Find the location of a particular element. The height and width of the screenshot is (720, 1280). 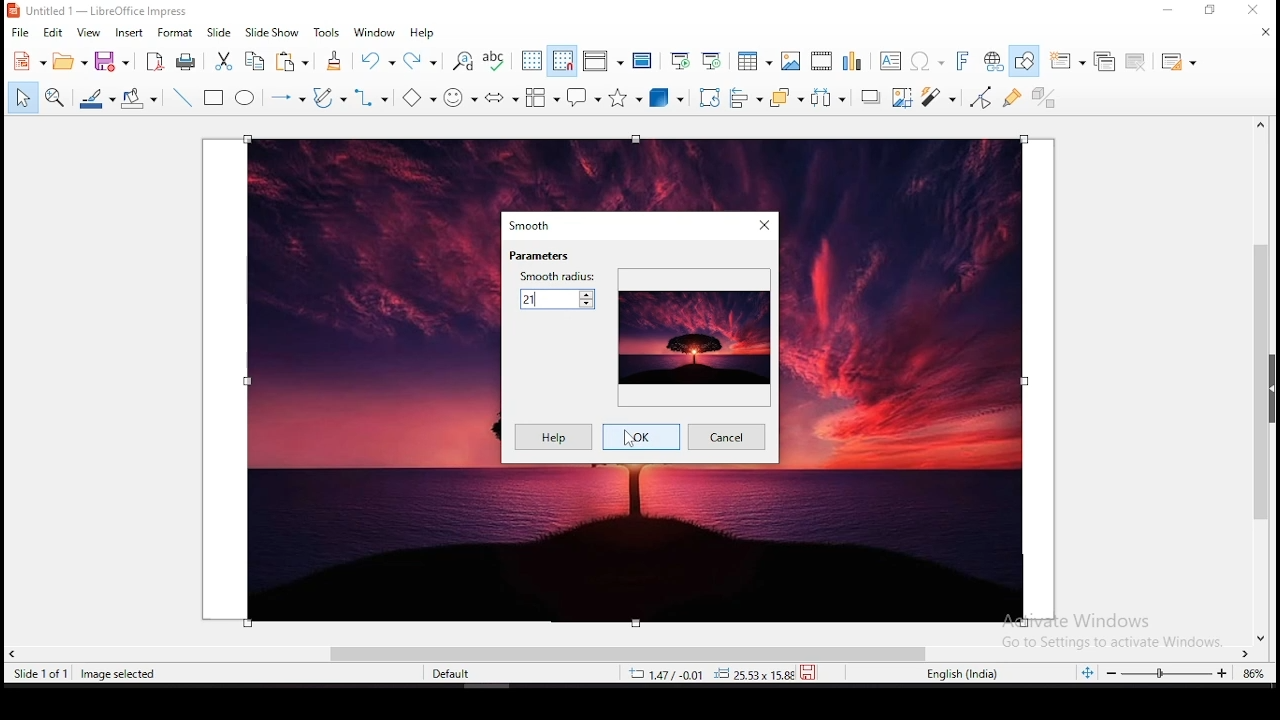

icon and filename - LibreOffice is located at coordinates (100, 11).